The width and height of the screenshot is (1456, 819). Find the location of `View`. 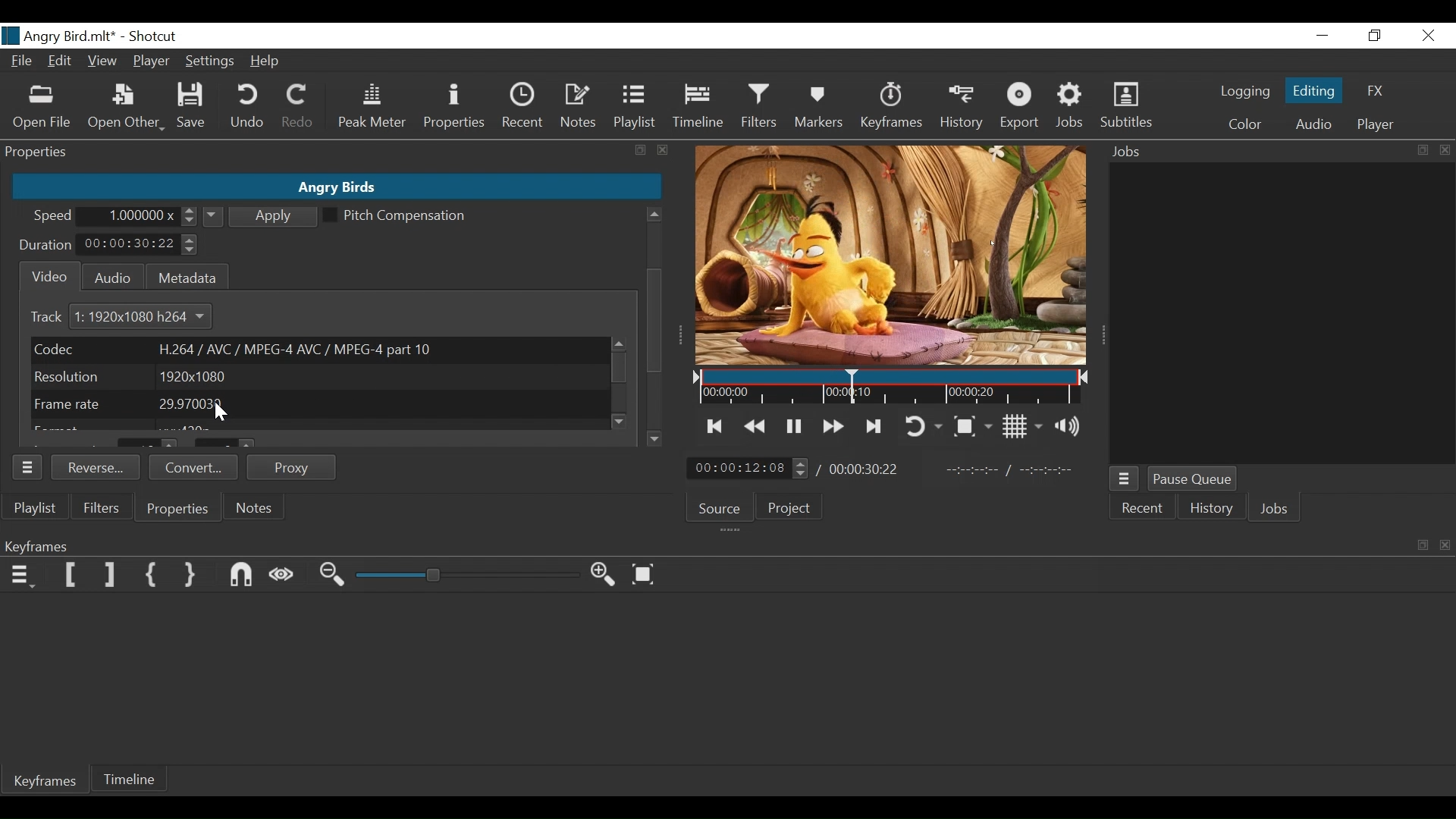

View is located at coordinates (101, 60).